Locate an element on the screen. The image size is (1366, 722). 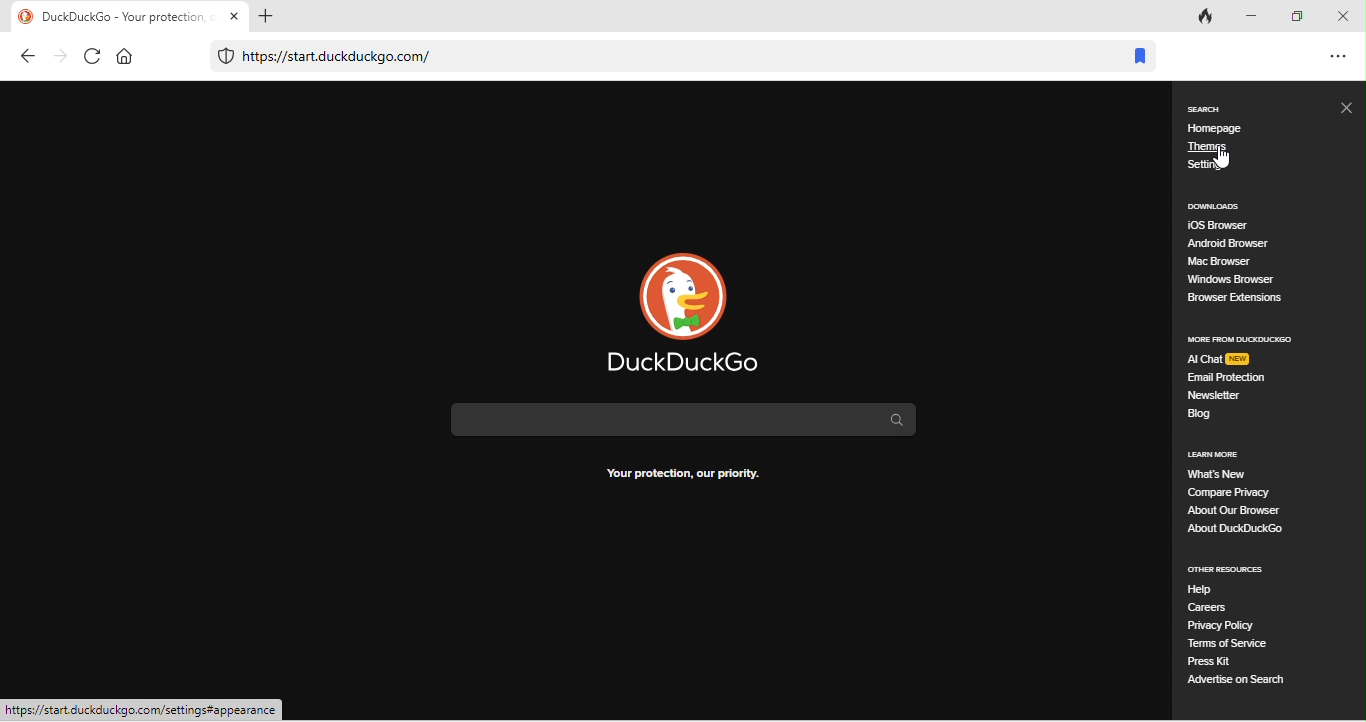
email protection is located at coordinates (1229, 377).